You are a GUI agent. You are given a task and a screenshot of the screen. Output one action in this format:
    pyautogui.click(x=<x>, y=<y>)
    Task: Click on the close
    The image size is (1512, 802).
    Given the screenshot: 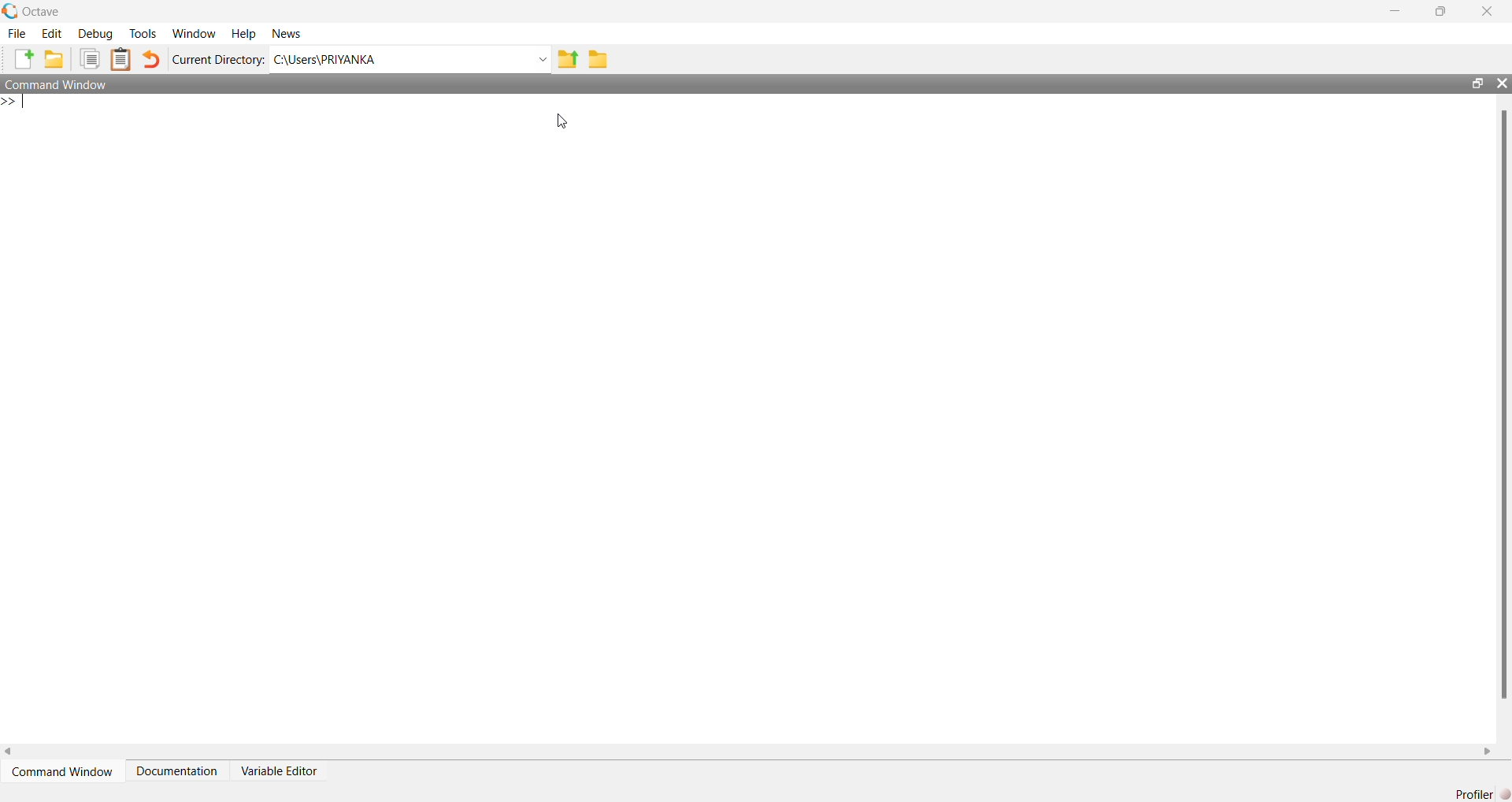 What is the action you would take?
    pyautogui.click(x=1503, y=84)
    